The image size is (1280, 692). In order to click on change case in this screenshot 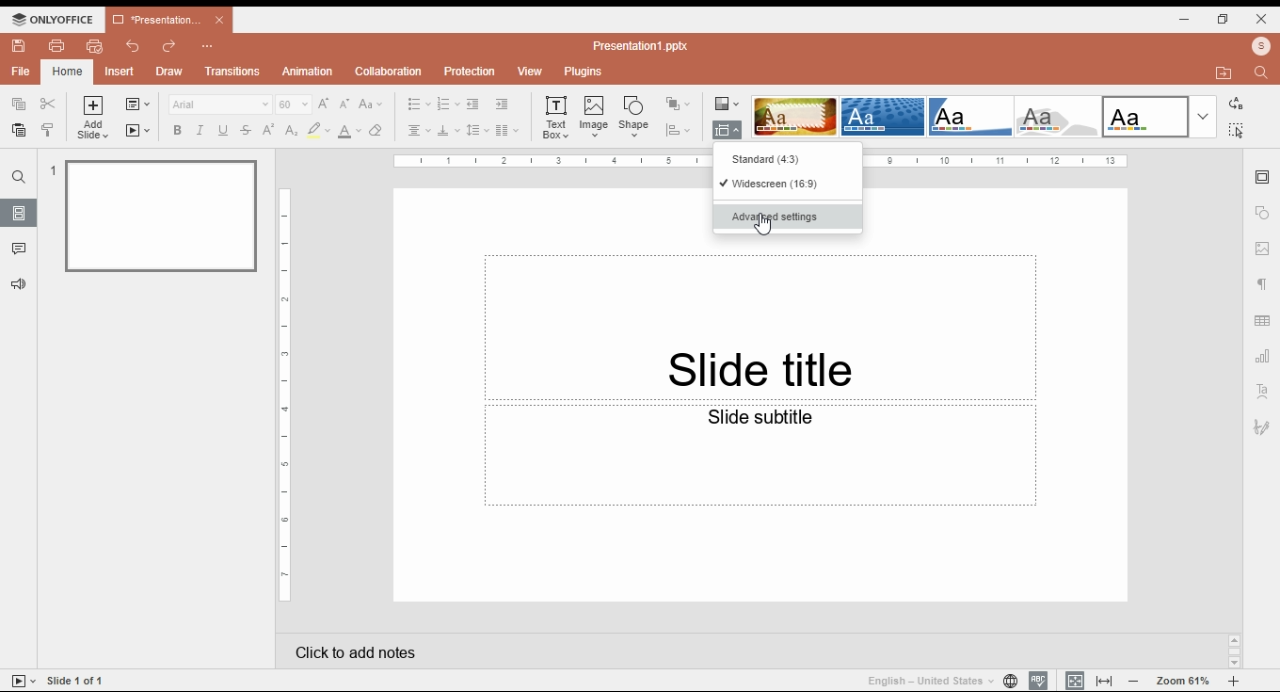, I will do `click(371, 104)`.